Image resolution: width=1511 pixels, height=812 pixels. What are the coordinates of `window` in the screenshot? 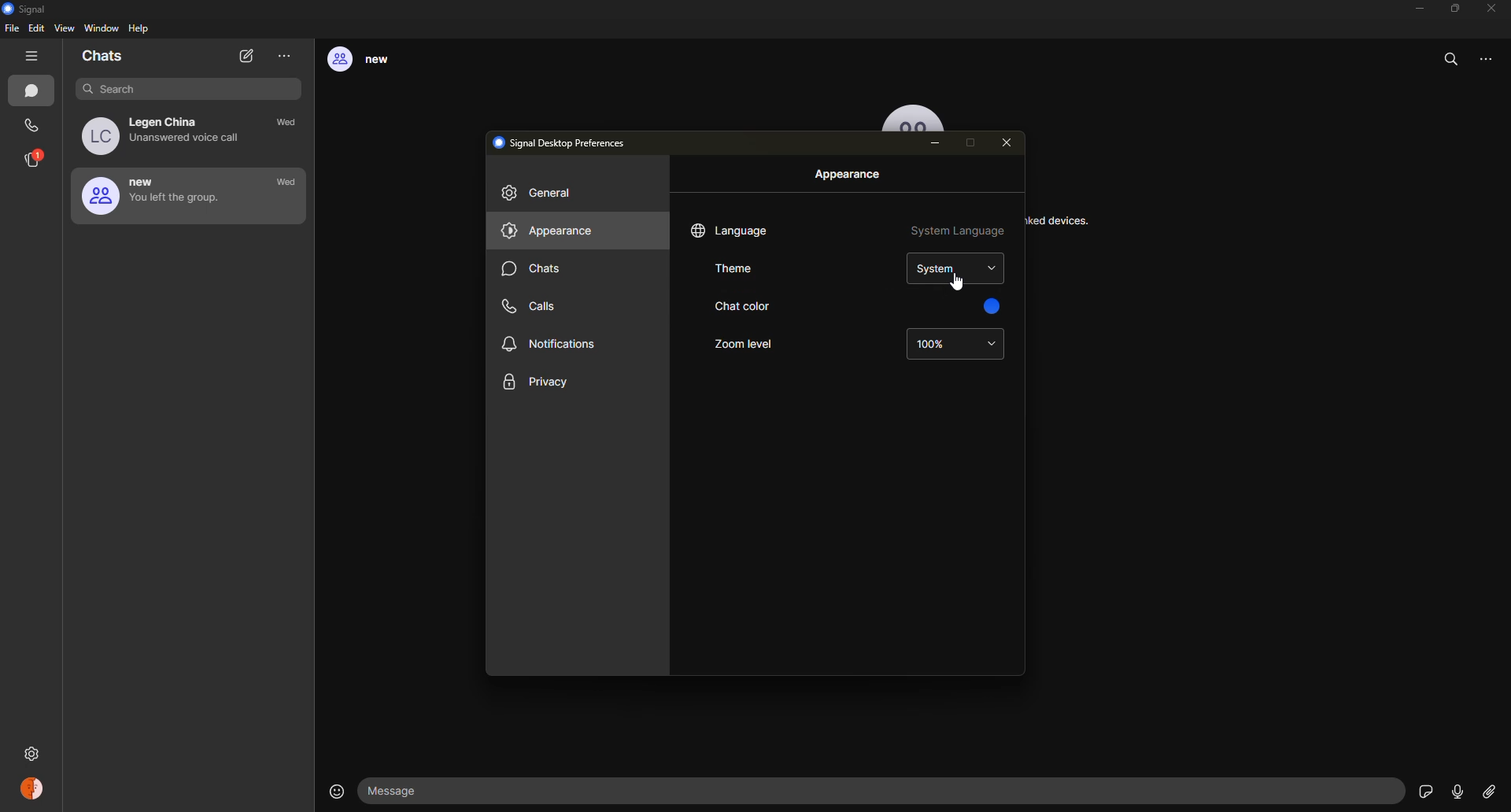 It's located at (102, 29).